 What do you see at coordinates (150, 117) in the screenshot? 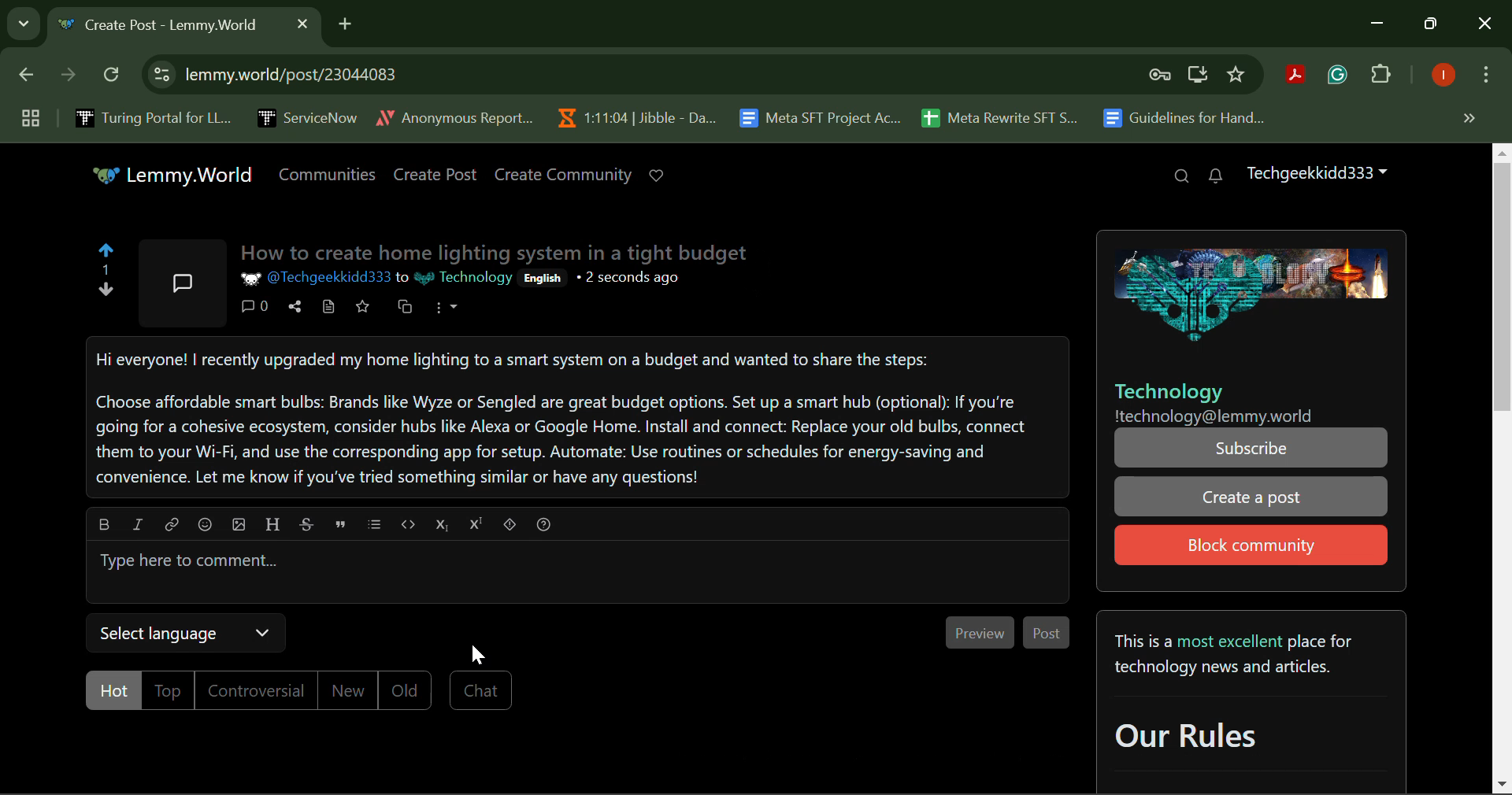
I see `Turing Portal for LLM` at bounding box center [150, 117].